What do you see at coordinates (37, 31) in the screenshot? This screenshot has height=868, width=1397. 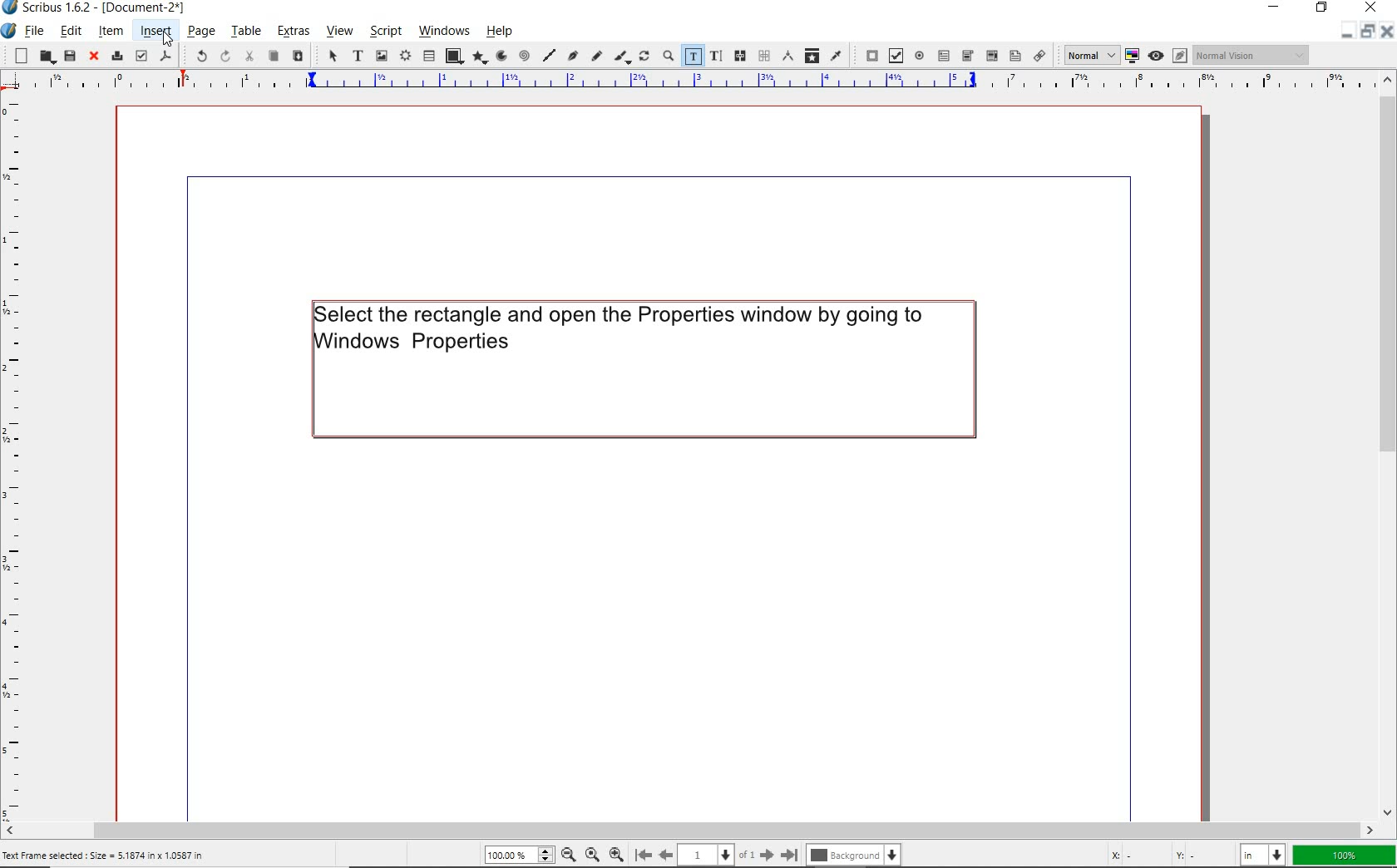 I see `file` at bounding box center [37, 31].